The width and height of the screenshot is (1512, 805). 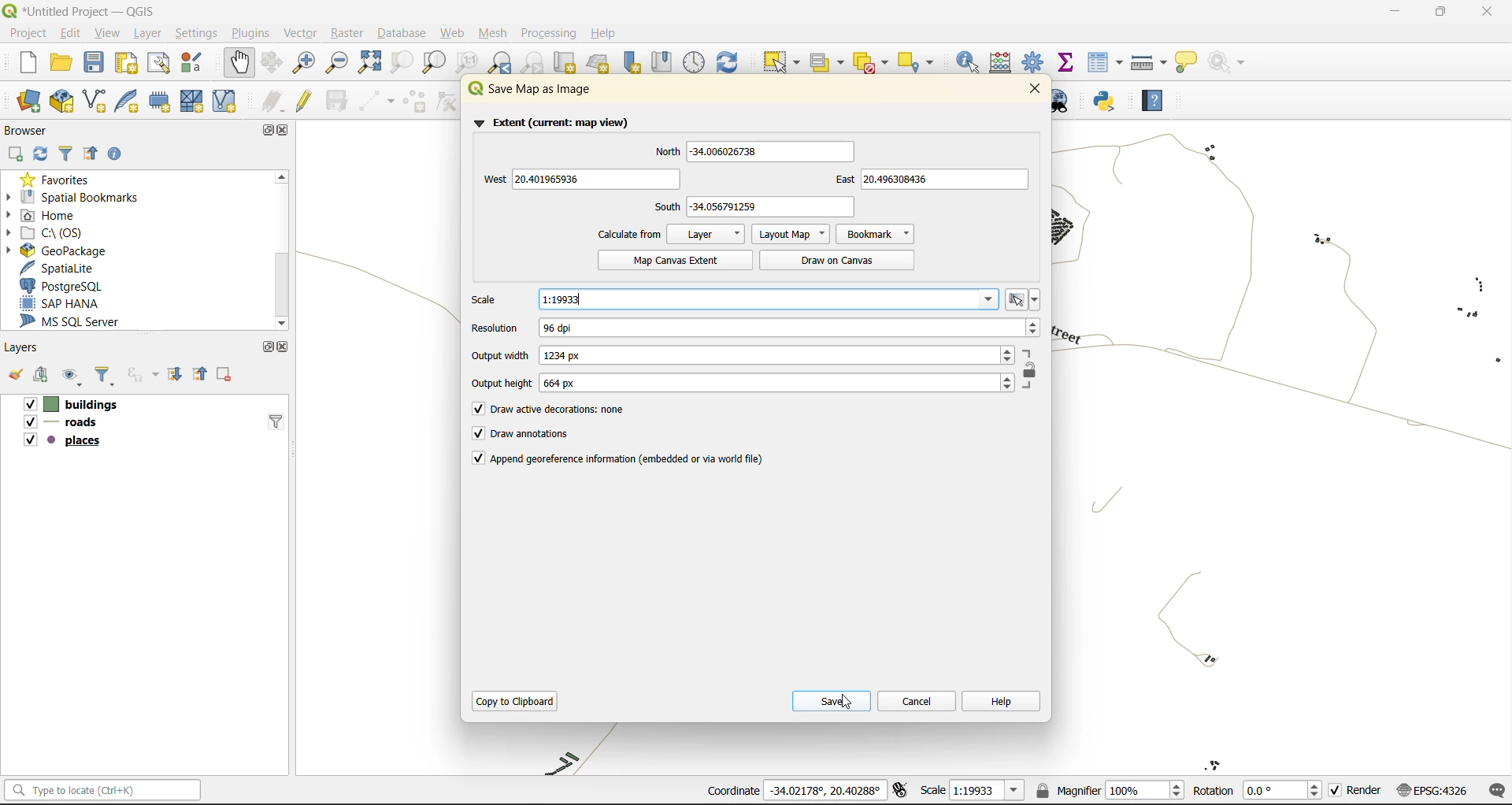 I want to click on edits, so click(x=273, y=101).